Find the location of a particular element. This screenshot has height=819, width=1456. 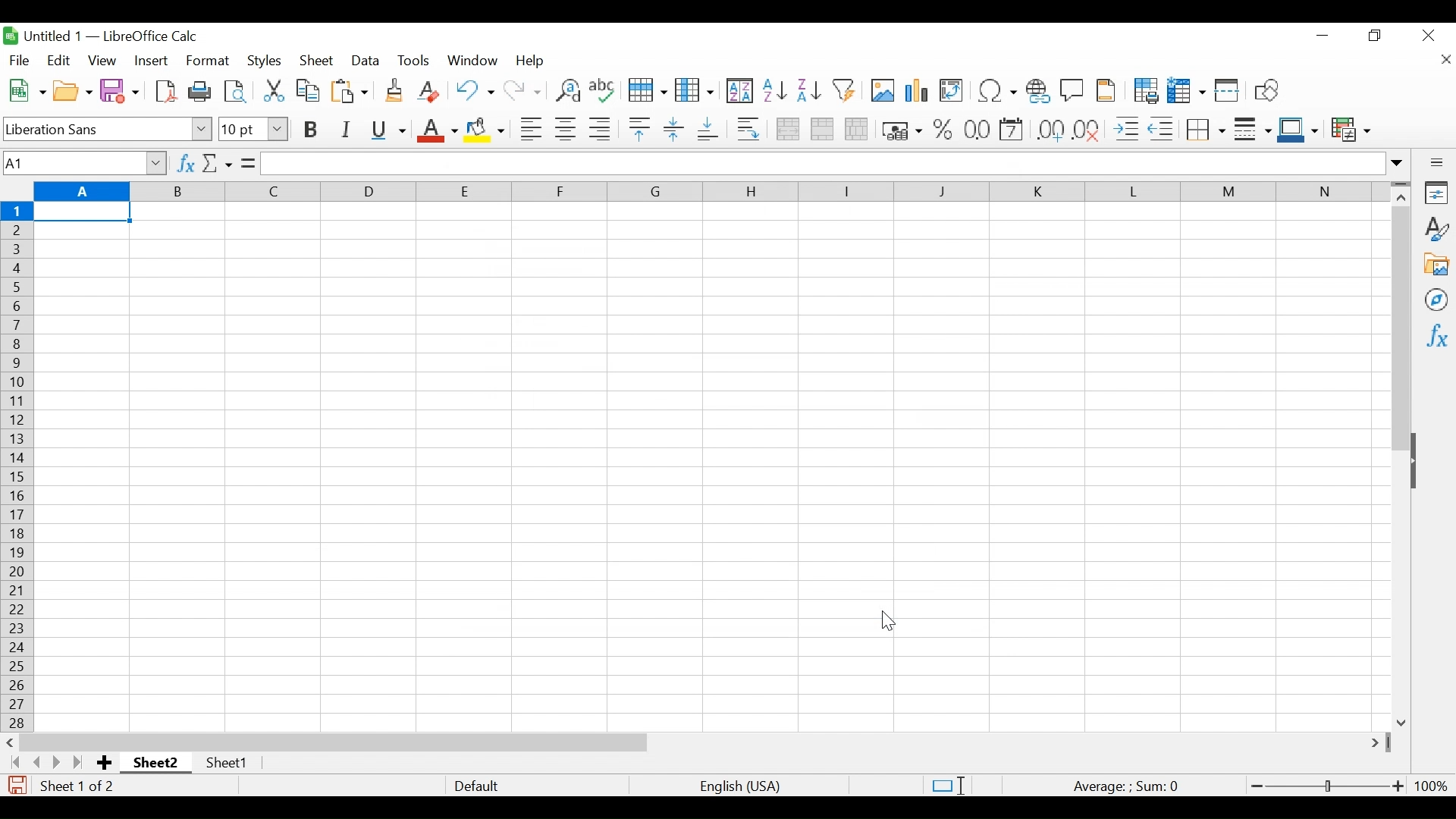

Columns is located at coordinates (711, 191).